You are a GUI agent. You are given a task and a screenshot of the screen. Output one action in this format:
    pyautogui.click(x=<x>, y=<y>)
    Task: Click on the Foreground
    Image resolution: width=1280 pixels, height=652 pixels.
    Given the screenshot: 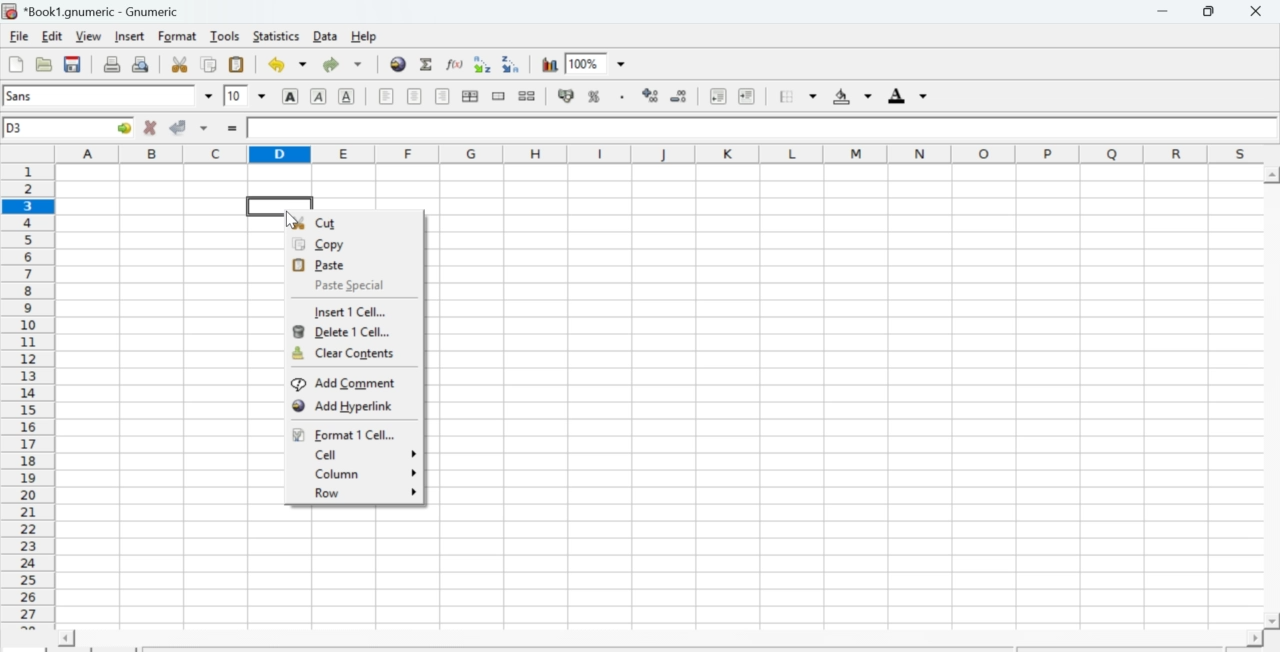 What is the action you would take?
    pyautogui.click(x=908, y=97)
    